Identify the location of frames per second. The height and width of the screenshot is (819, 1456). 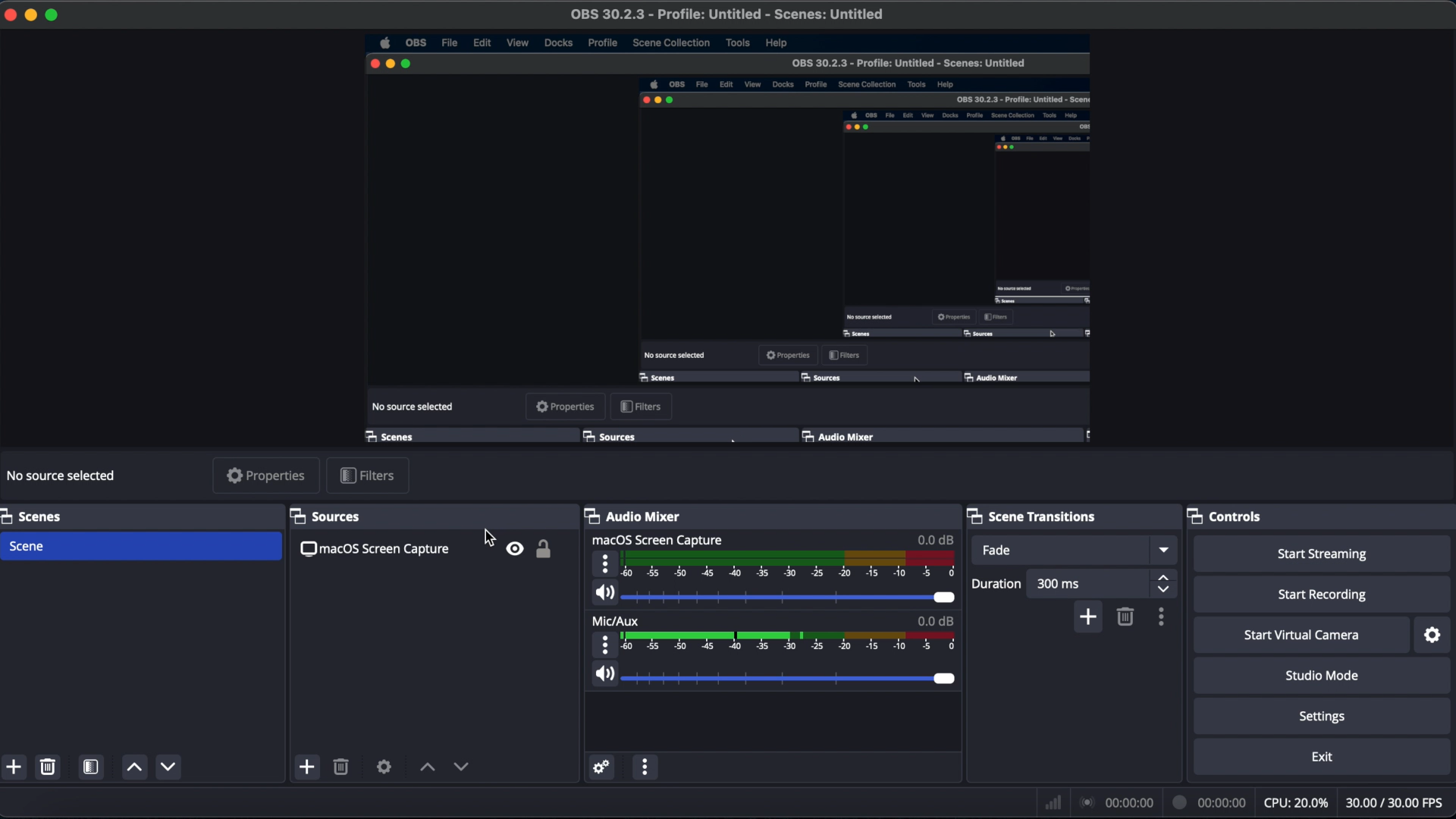
(1395, 802).